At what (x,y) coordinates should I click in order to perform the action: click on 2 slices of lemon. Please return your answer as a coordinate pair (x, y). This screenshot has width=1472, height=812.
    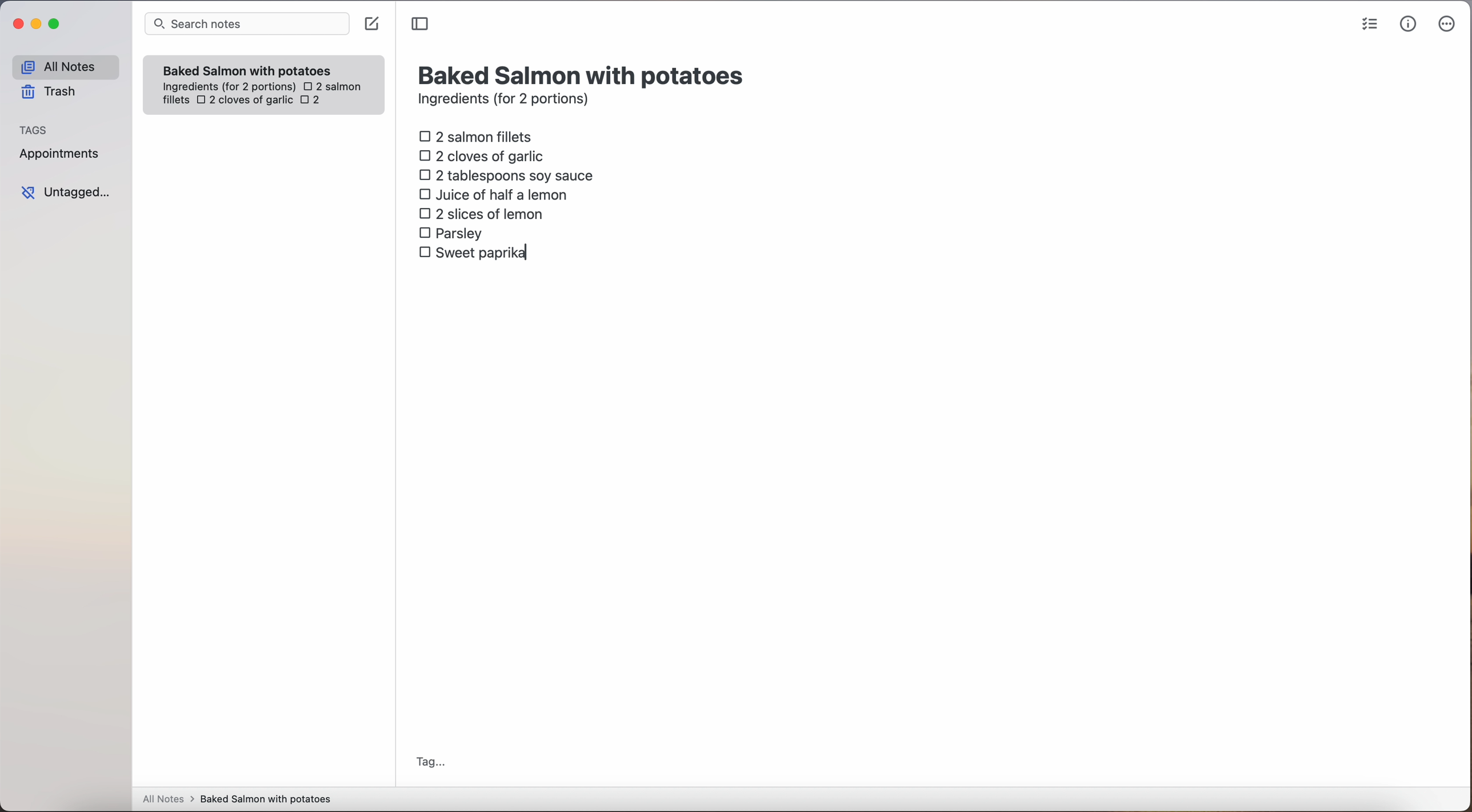
    Looking at the image, I should click on (482, 214).